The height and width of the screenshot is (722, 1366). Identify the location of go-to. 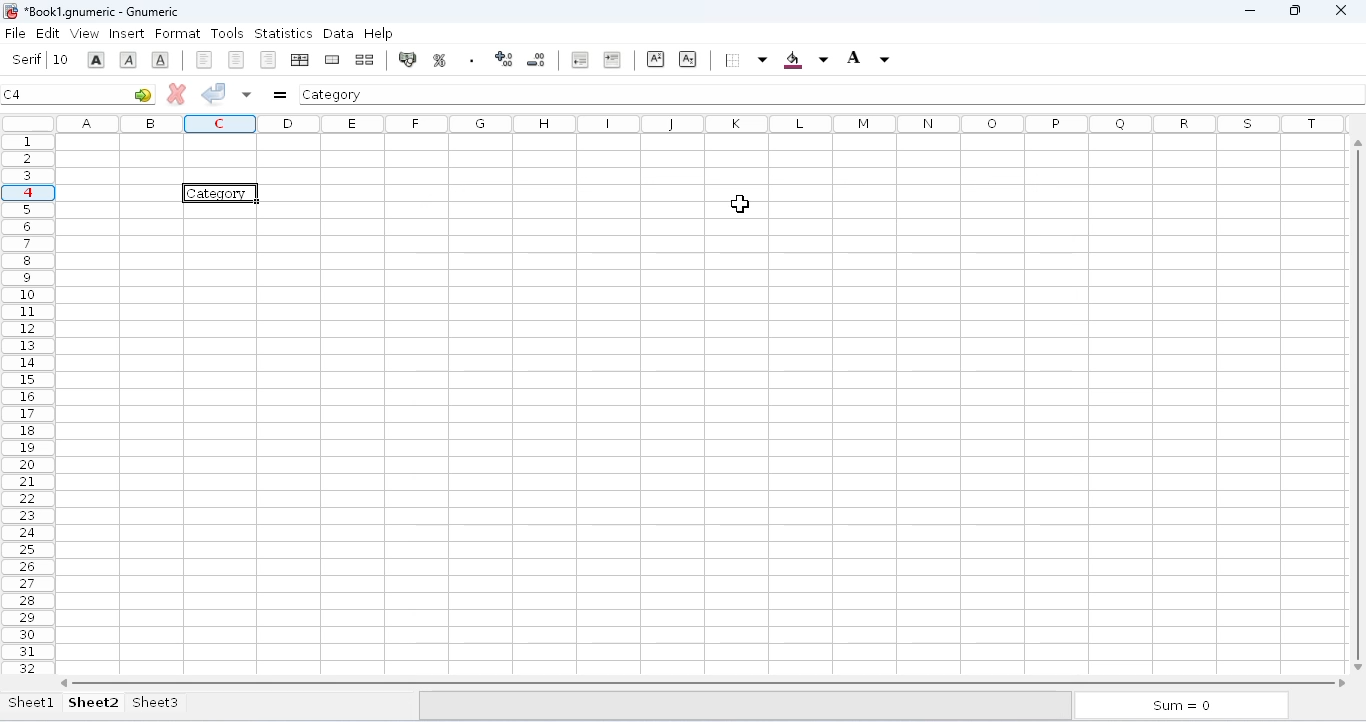
(143, 94).